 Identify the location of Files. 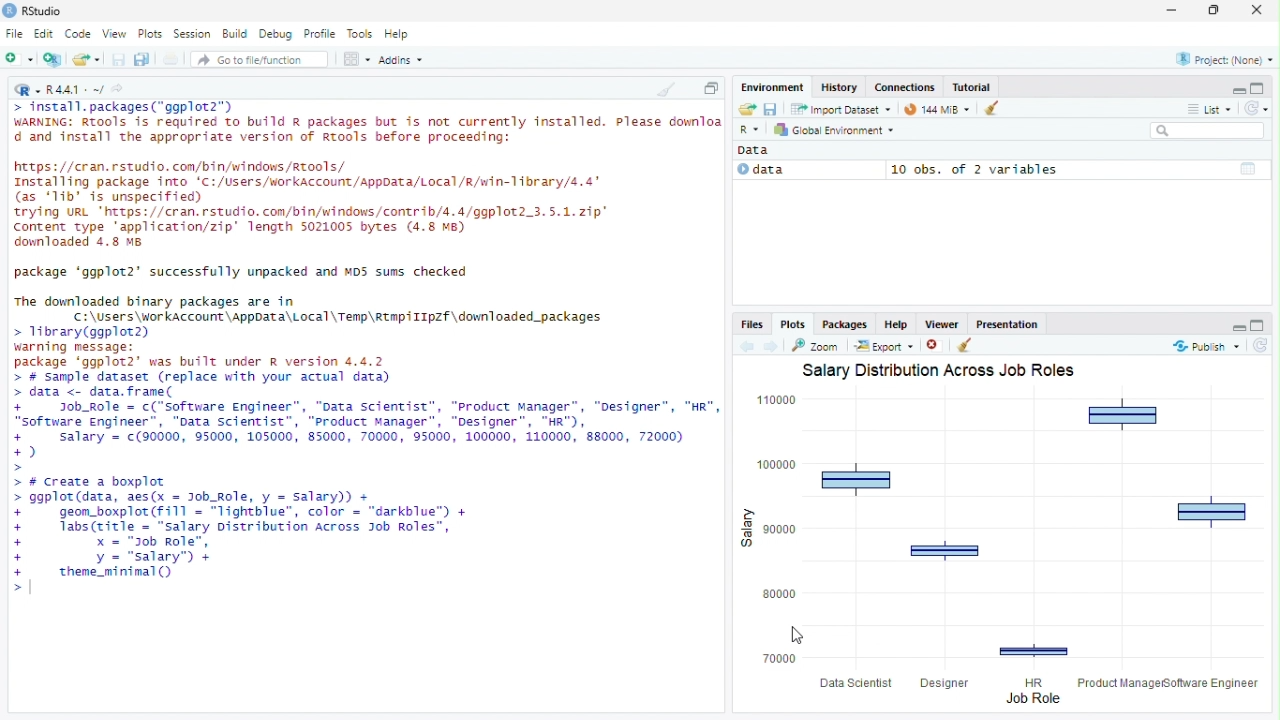
(753, 324).